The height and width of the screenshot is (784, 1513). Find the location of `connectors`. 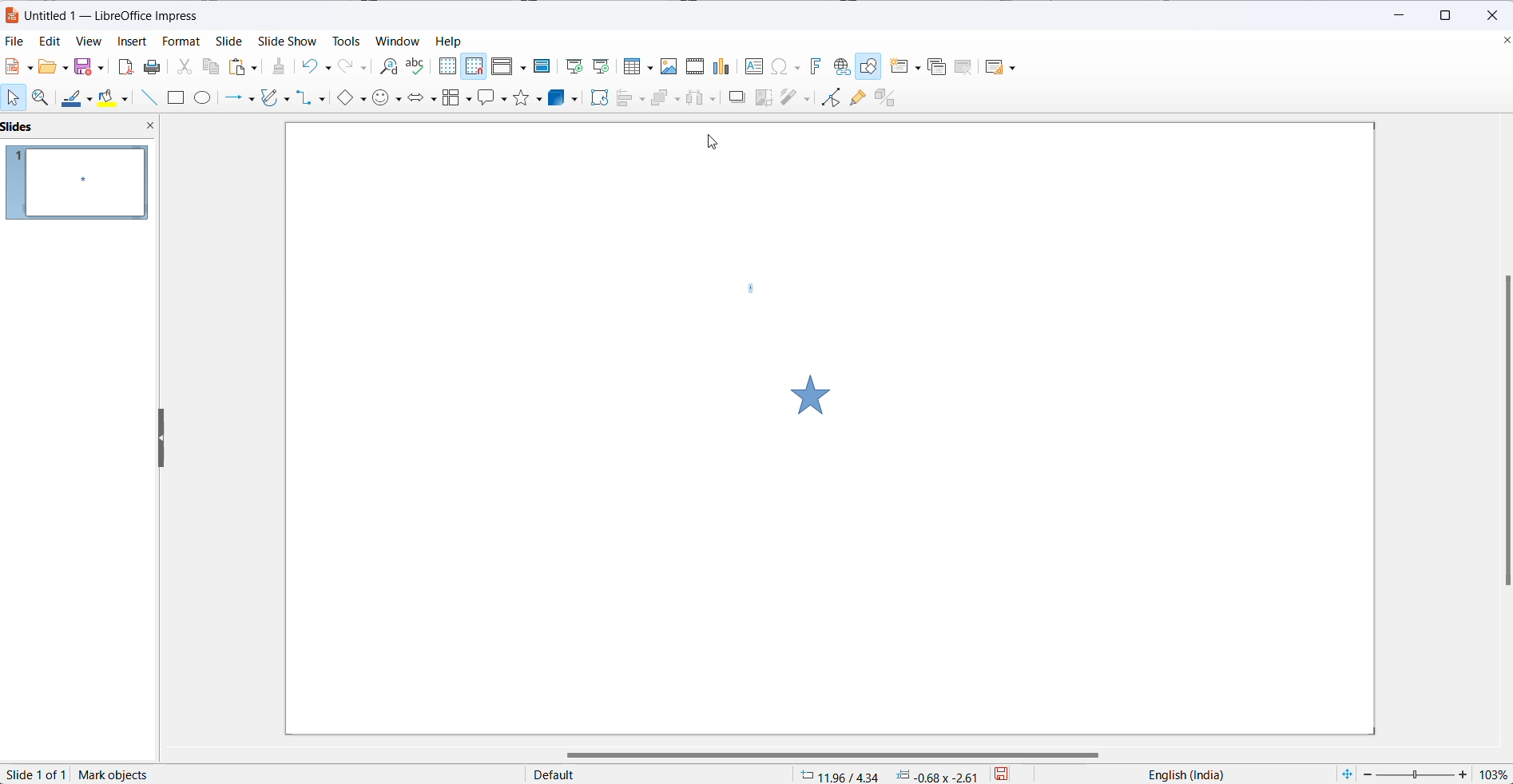

connectors is located at coordinates (316, 99).